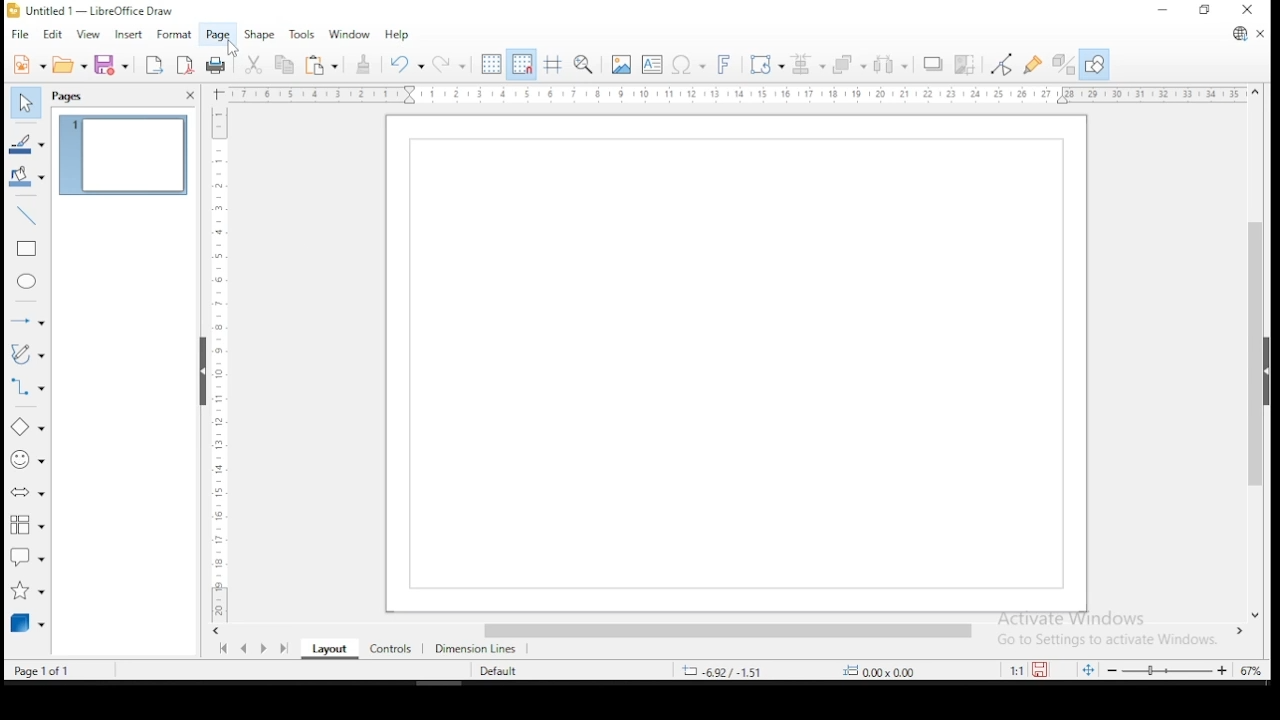 This screenshot has width=1280, height=720. Describe the element at coordinates (322, 67) in the screenshot. I see `paste` at that location.